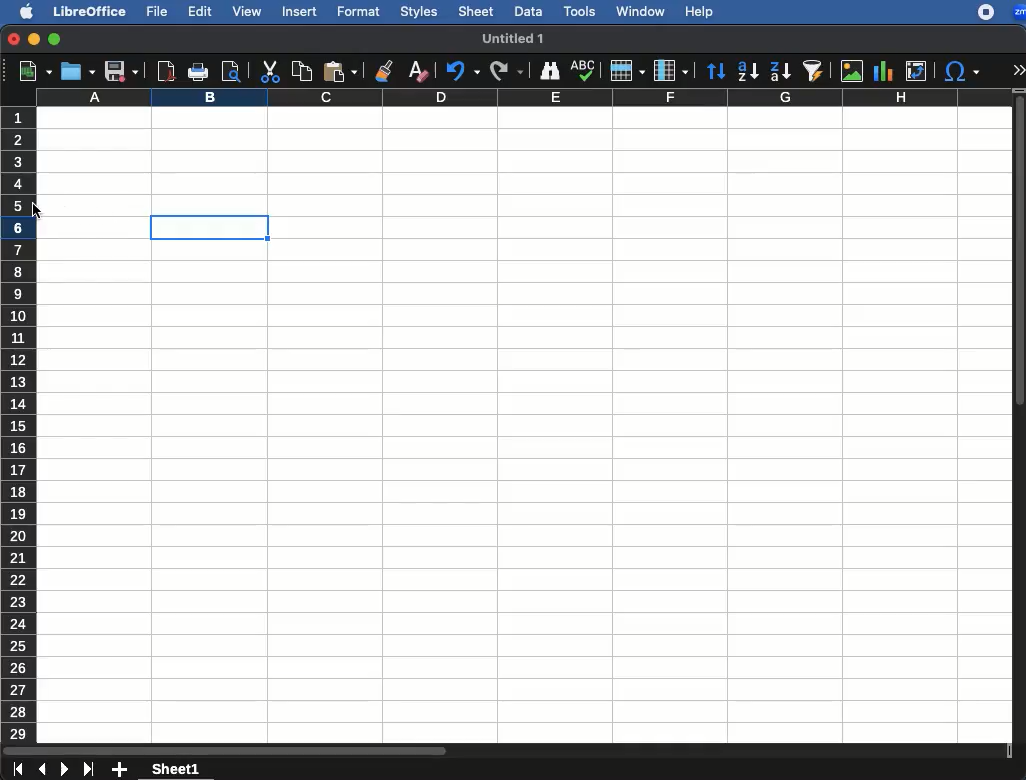 This screenshot has height=780, width=1026. I want to click on clear formatting, so click(416, 70).